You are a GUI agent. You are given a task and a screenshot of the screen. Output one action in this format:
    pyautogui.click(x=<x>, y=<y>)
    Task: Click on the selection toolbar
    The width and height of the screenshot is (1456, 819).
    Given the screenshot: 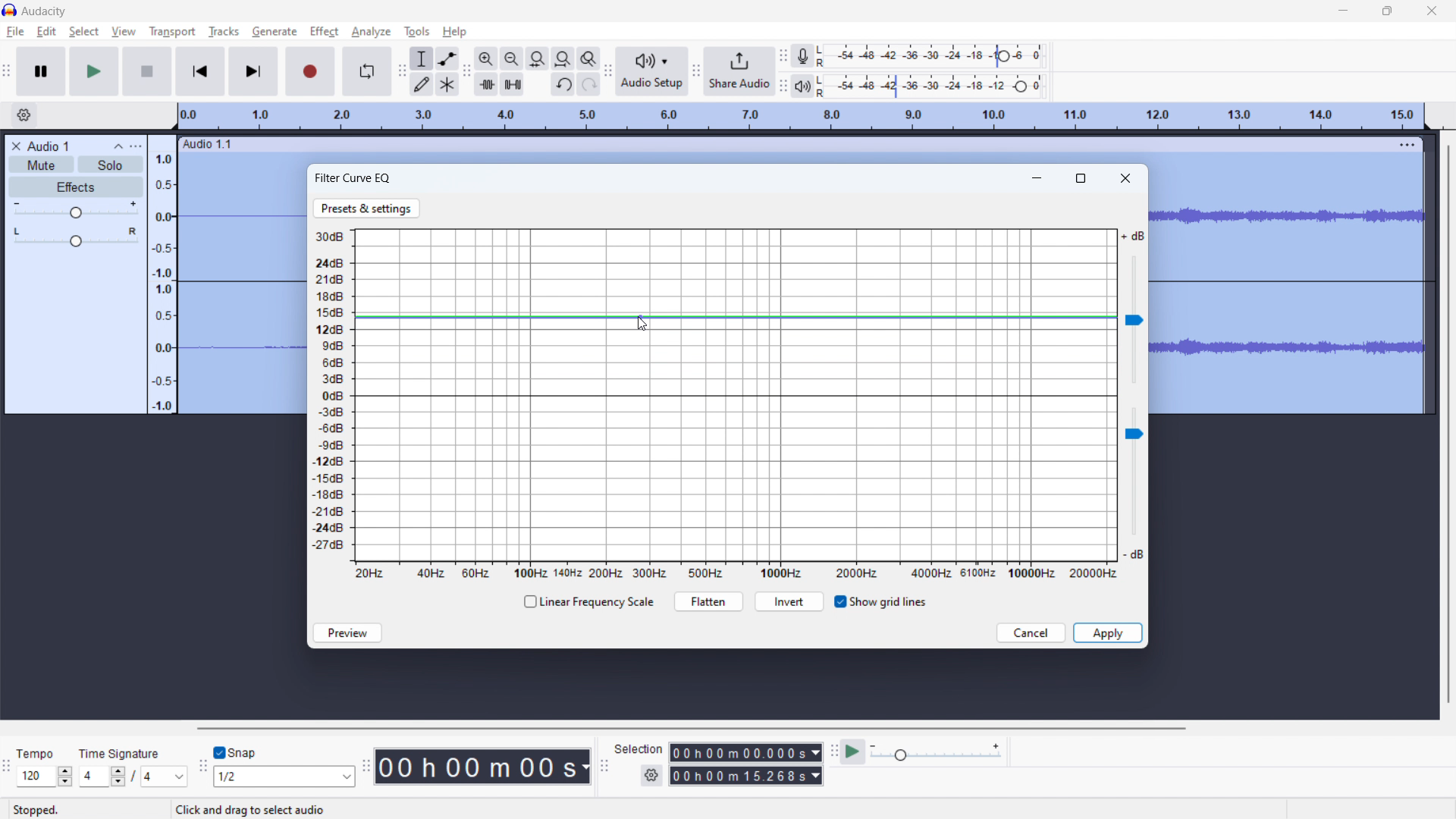 What is the action you would take?
    pyautogui.click(x=603, y=765)
    